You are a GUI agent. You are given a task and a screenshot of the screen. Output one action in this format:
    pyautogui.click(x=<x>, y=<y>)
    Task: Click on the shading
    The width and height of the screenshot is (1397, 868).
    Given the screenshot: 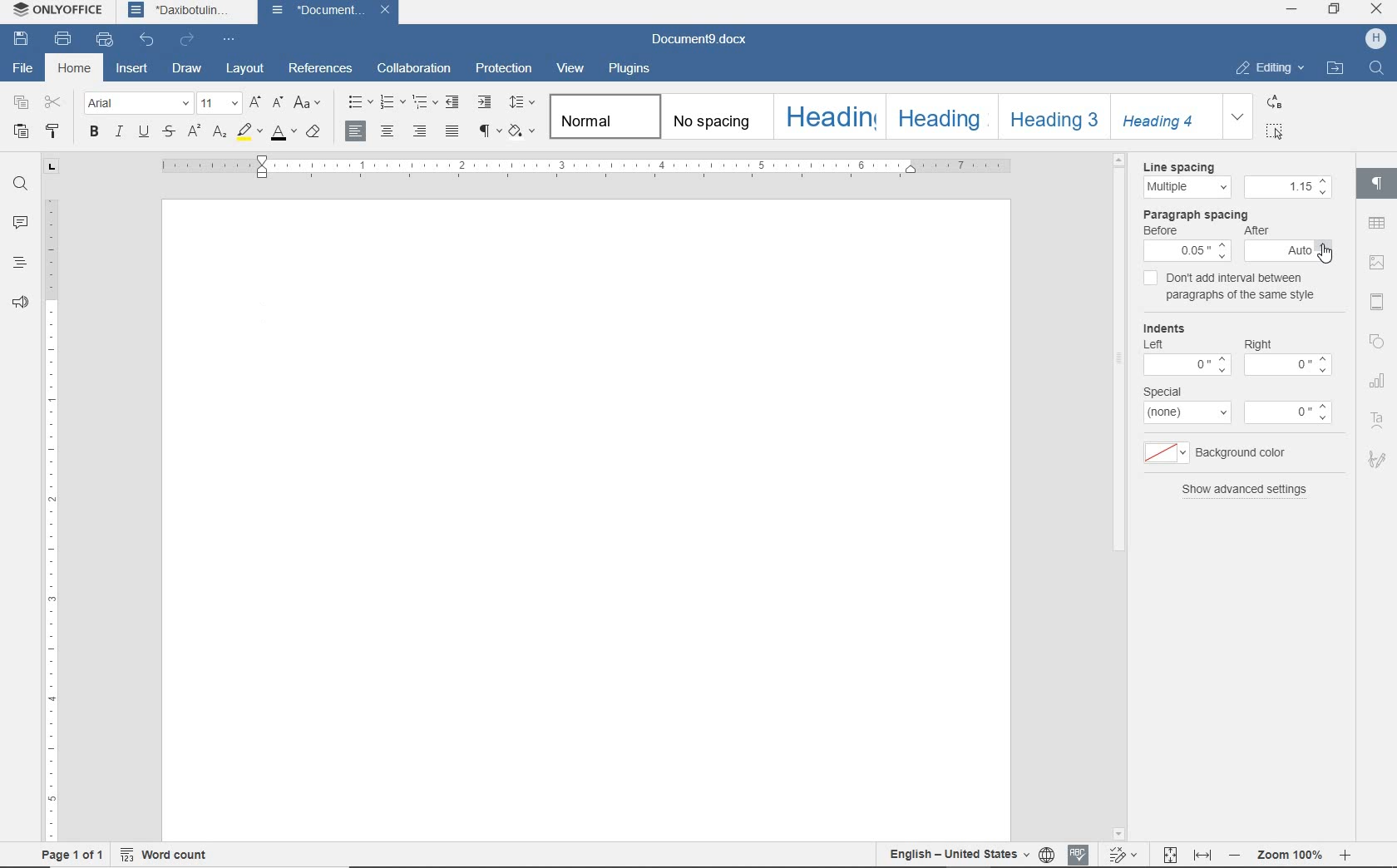 What is the action you would take?
    pyautogui.click(x=523, y=133)
    